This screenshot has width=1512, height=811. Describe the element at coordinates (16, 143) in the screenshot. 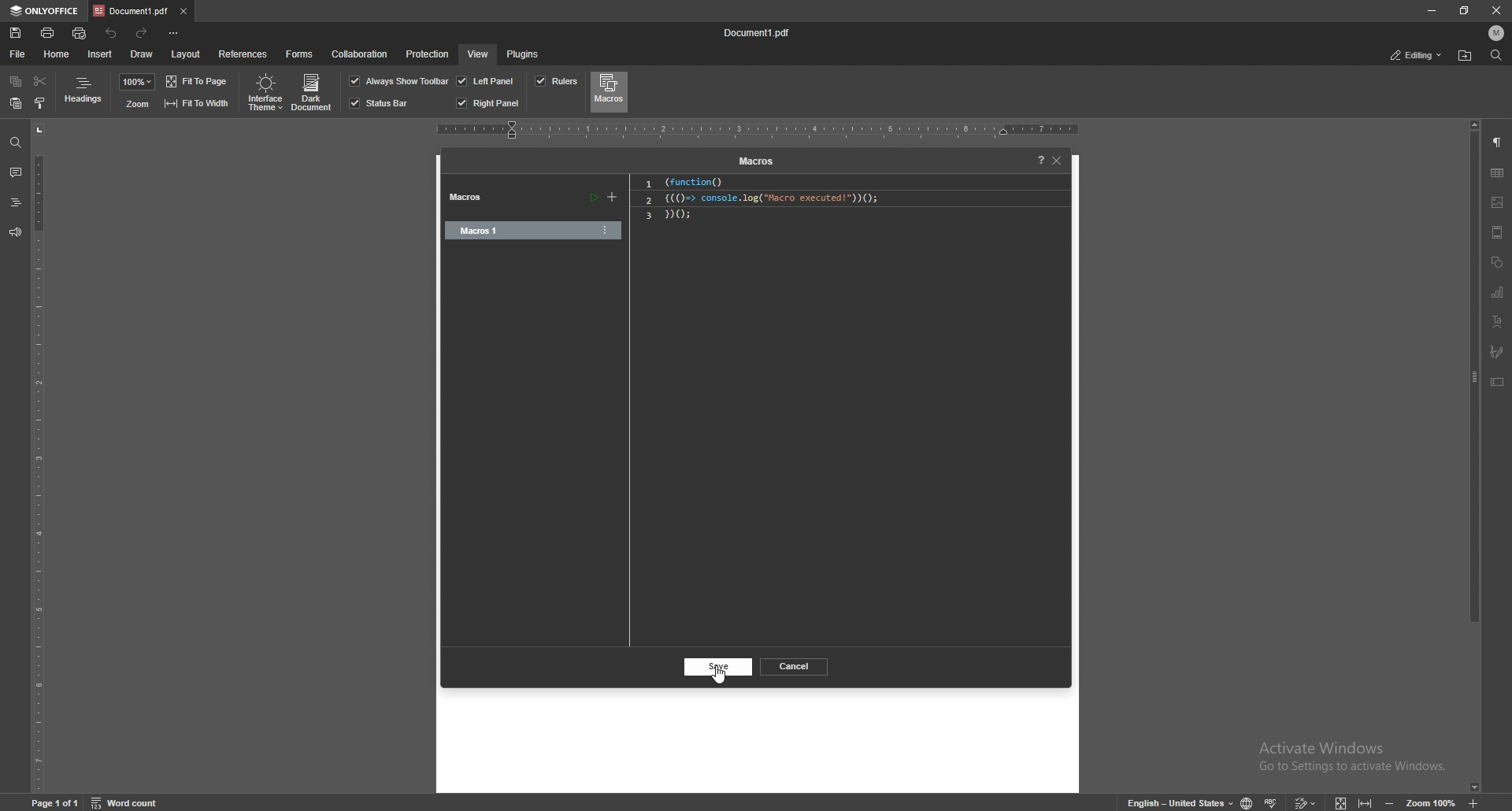

I see `find` at that location.